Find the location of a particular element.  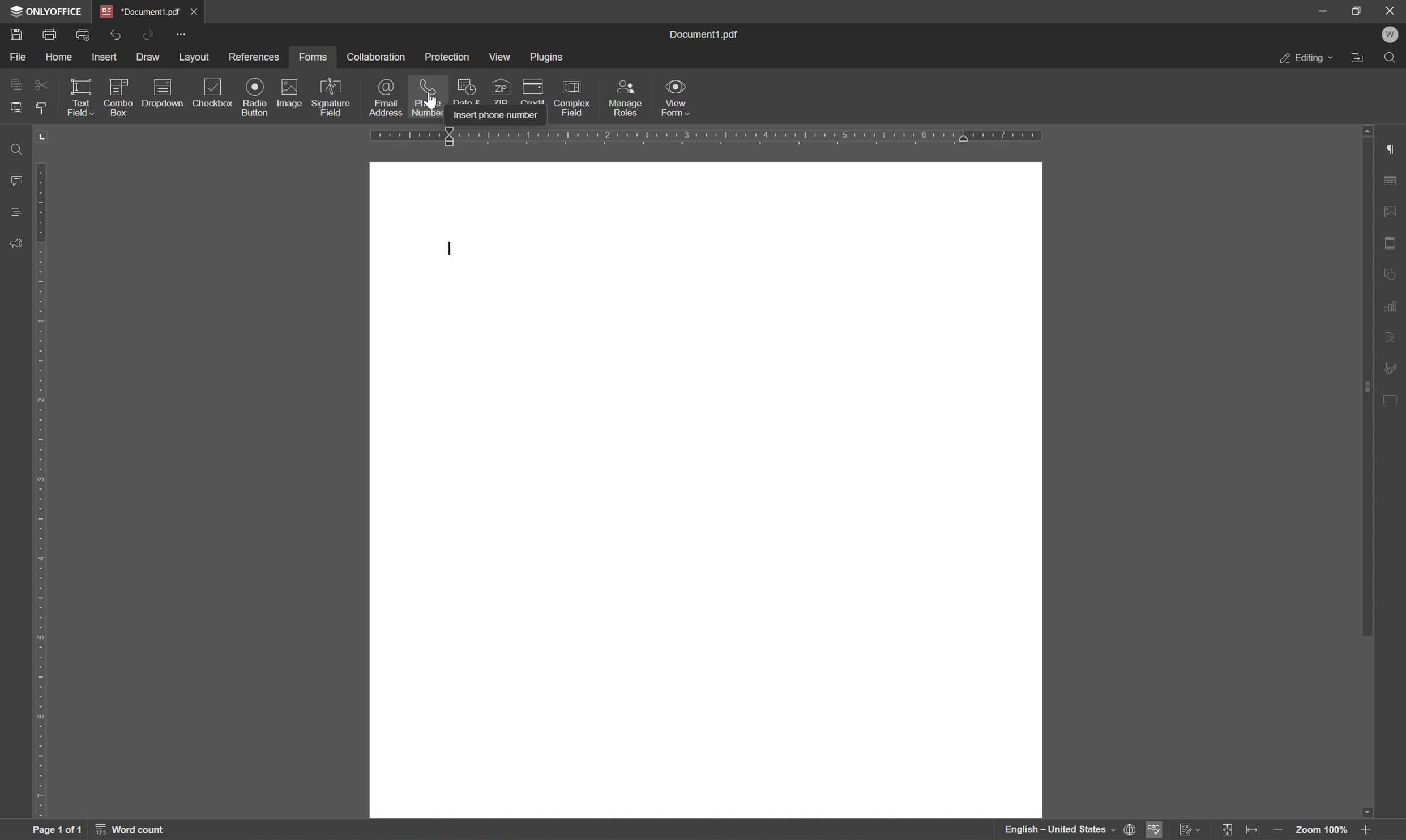

image settings is located at coordinates (1390, 209).